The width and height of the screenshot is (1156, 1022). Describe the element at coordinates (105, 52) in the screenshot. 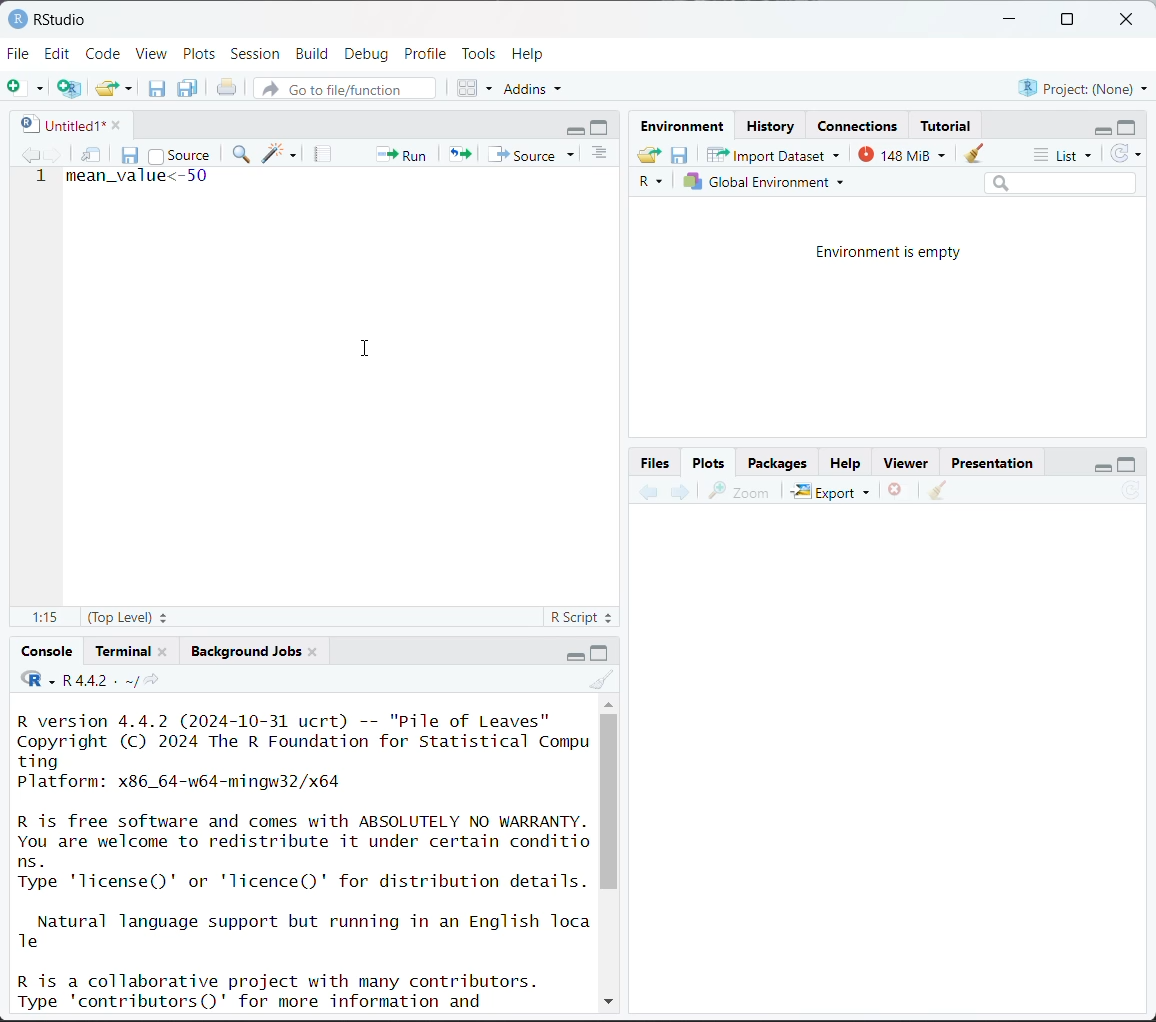

I see `Code` at that location.